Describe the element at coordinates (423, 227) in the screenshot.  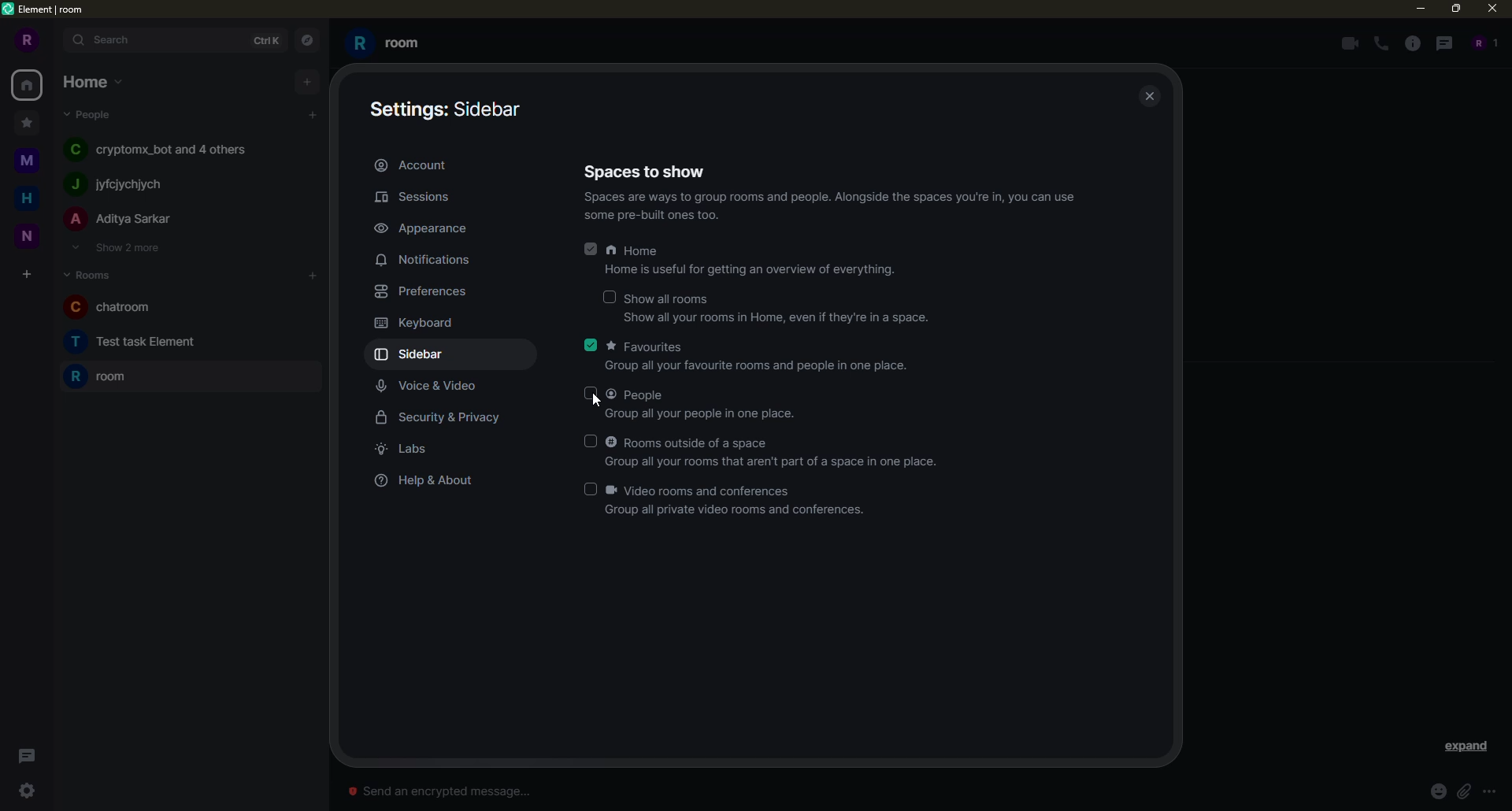
I see `appearance` at that location.